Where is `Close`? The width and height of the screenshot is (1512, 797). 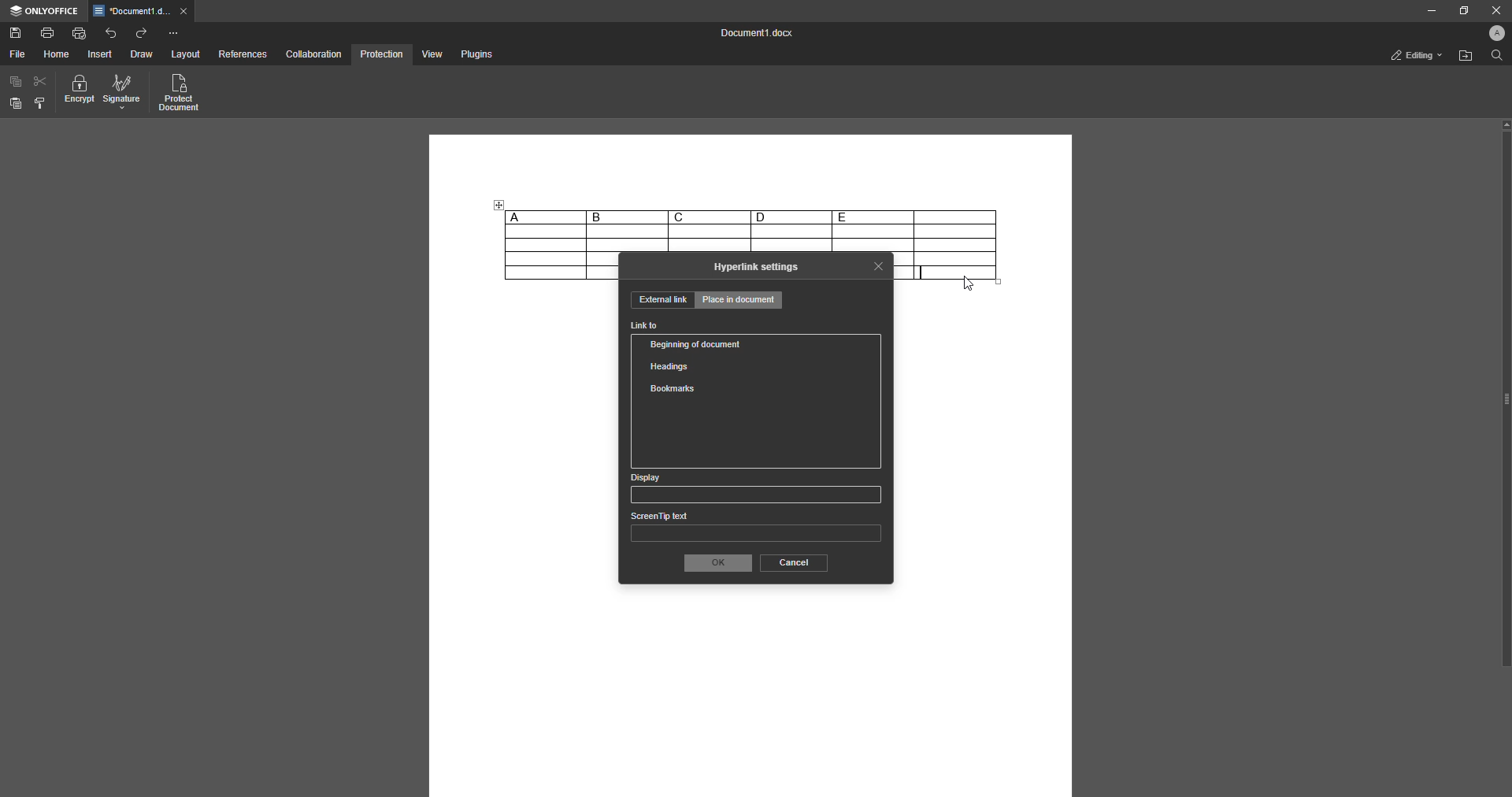
Close is located at coordinates (1493, 10).